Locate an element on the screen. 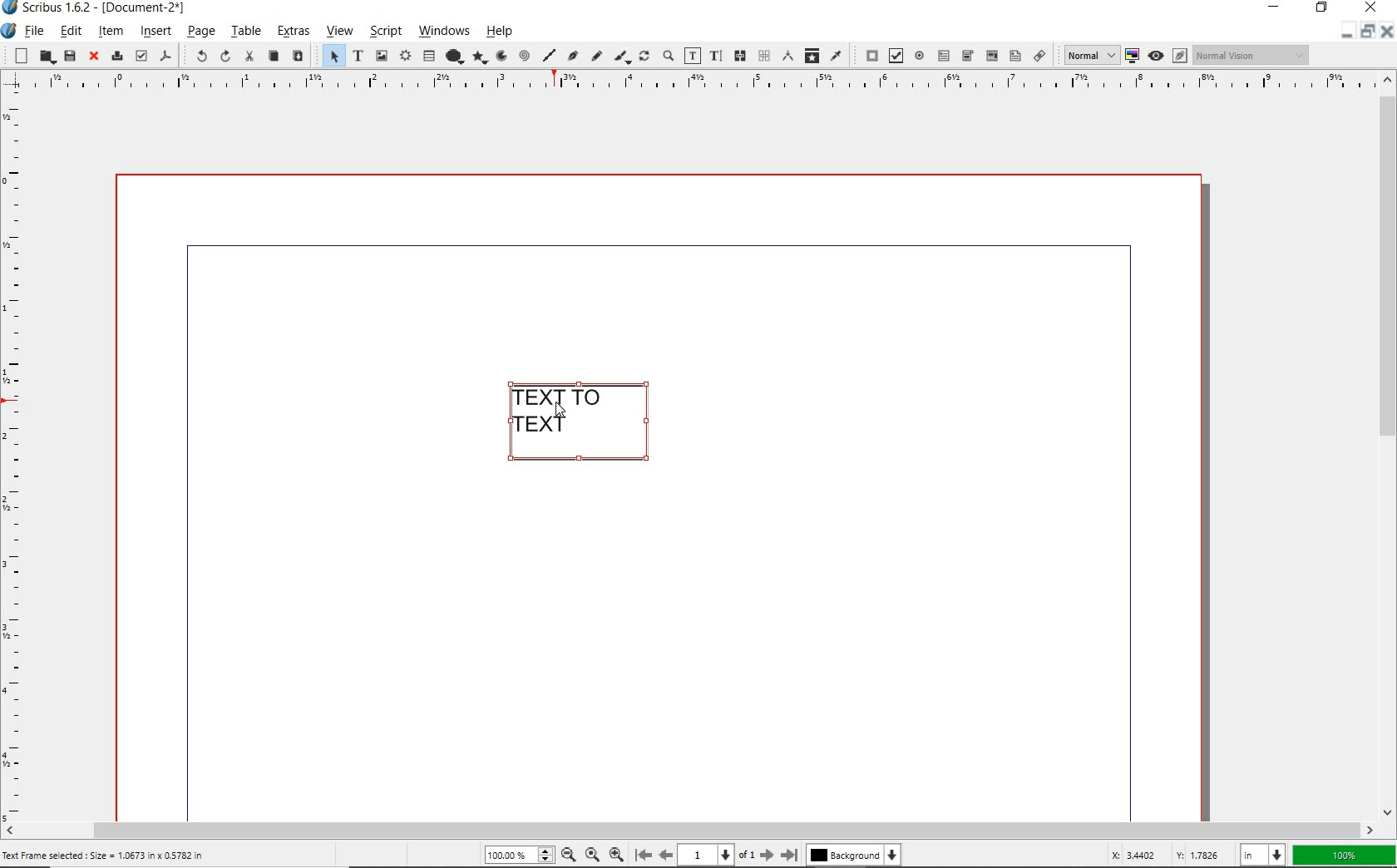 The width and height of the screenshot is (1397, 868). save is located at coordinates (69, 57).